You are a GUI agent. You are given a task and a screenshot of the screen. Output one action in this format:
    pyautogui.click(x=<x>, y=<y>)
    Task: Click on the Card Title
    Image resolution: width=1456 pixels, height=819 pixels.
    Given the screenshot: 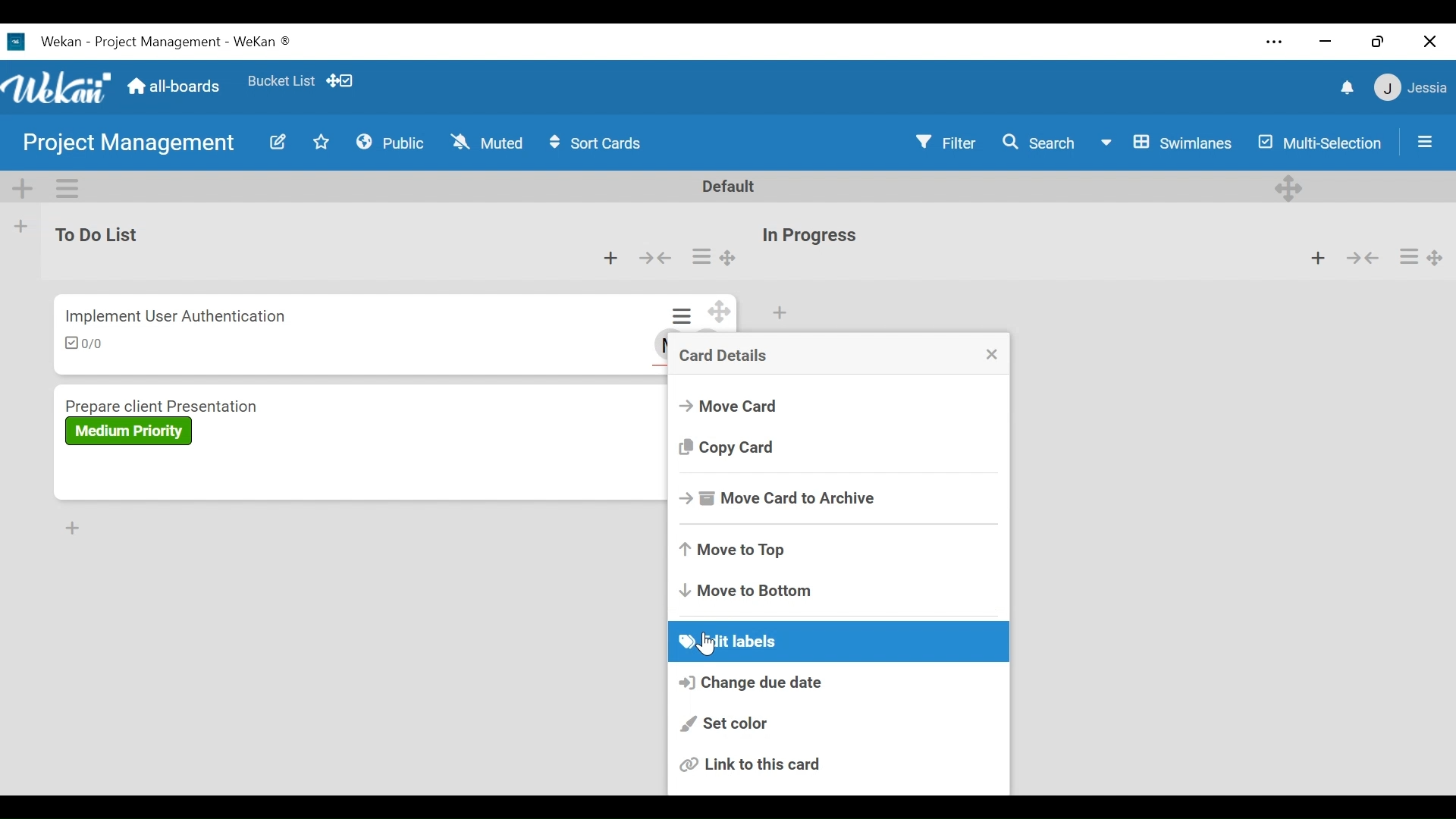 What is the action you would take?
    pyautogui.click(x=168, y=403)
    